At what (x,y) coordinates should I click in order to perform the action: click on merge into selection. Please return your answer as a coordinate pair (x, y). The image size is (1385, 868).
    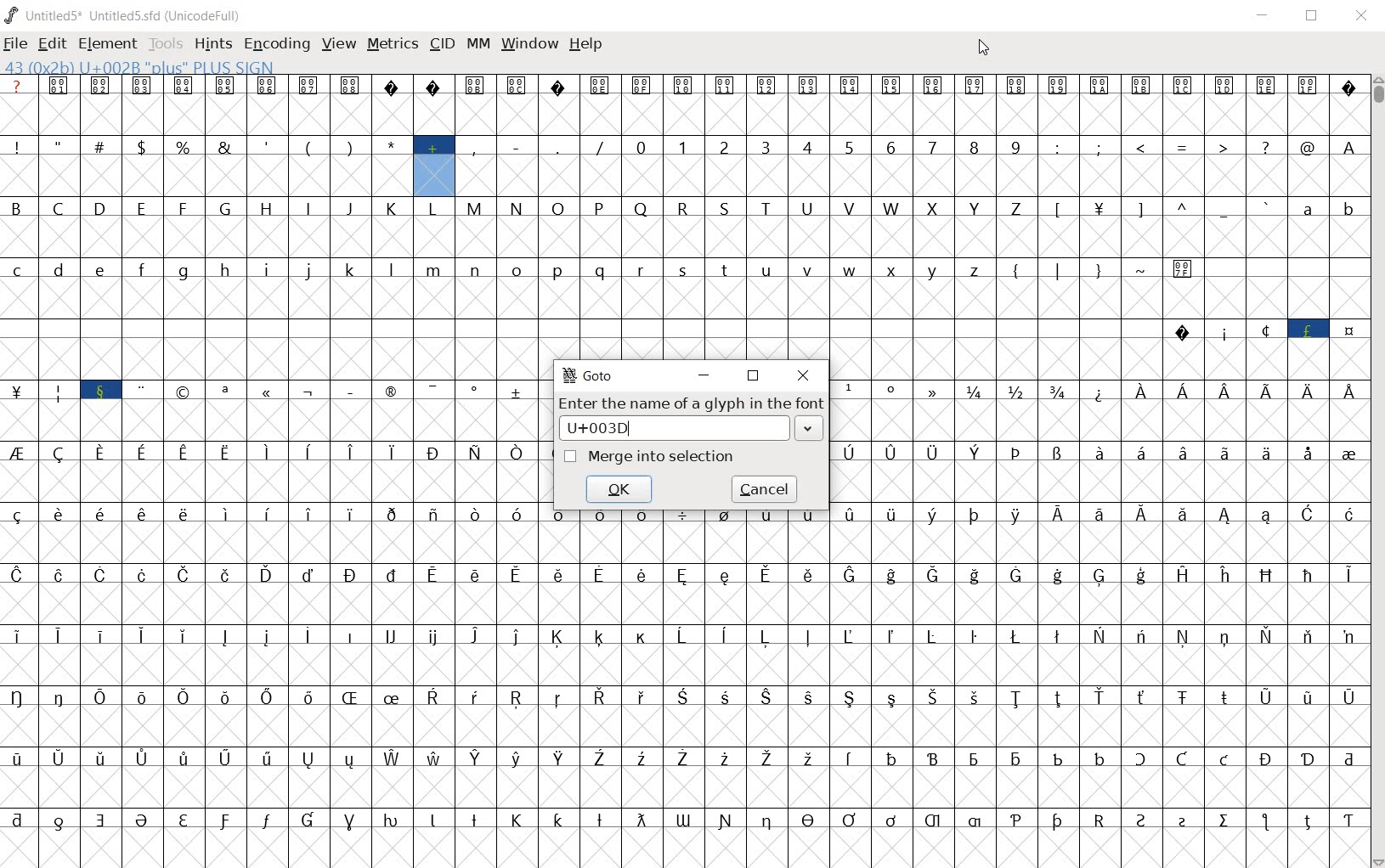
    Looking at the image, I should click on (649, 457).